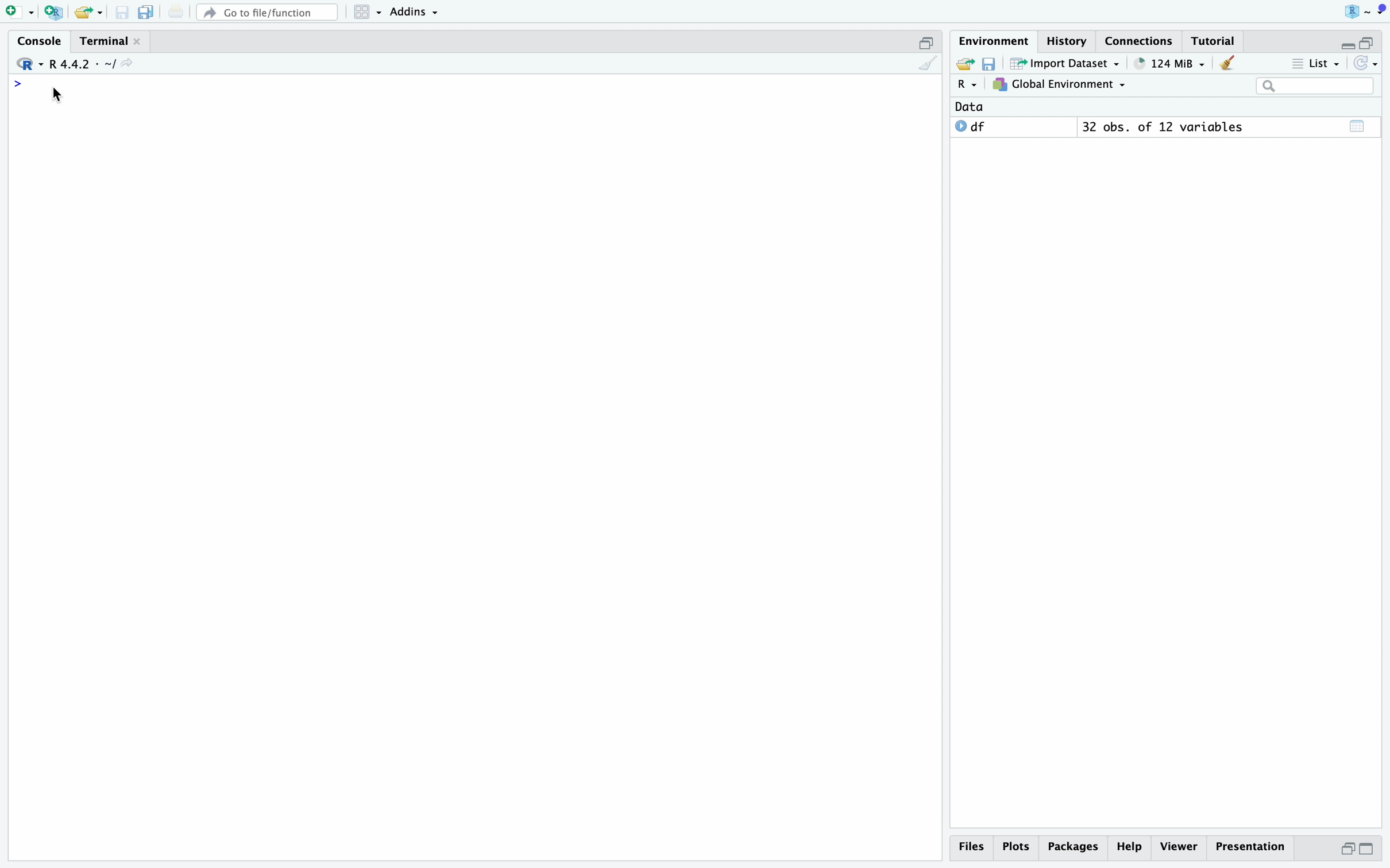 The height and width of the screenshot is (868, 1390). Describe the element at coordinates (414, 13) in the screenshot. I see `Addins` at that location.